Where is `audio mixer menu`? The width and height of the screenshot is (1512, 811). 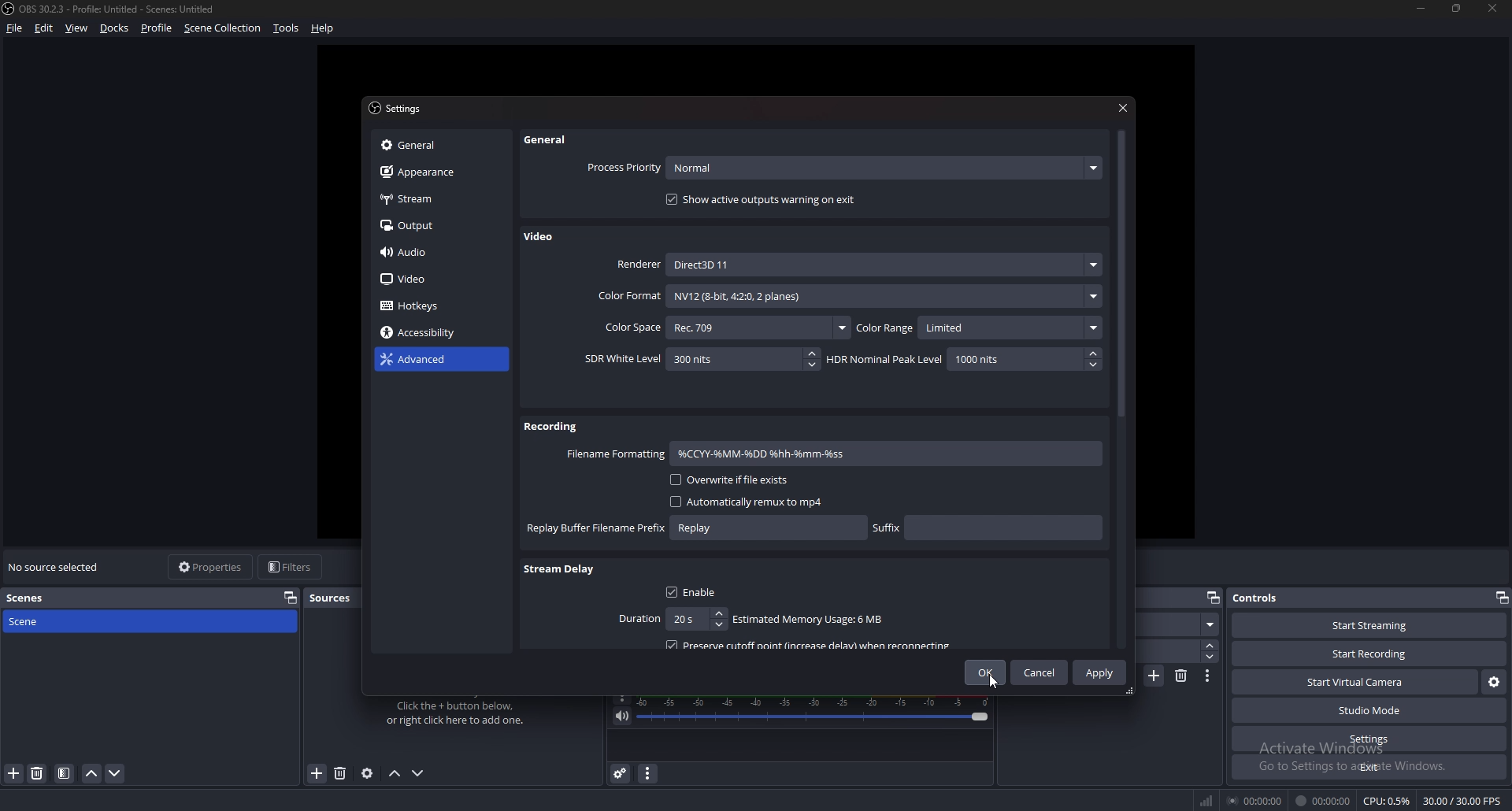
audio mixer menu is located at coordinates (648, 774).